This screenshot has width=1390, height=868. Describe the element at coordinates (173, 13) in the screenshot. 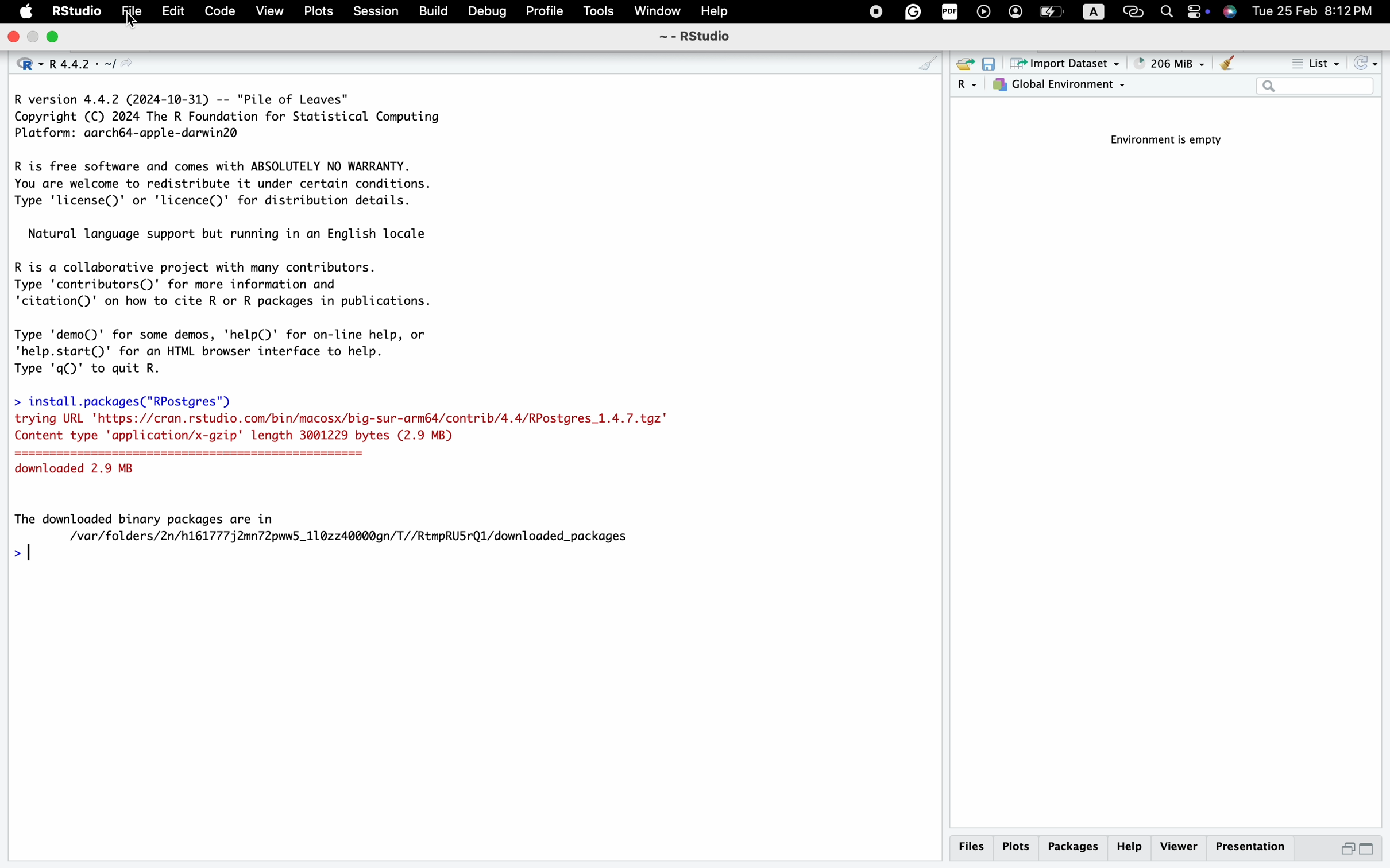

I see `edit` at that location.